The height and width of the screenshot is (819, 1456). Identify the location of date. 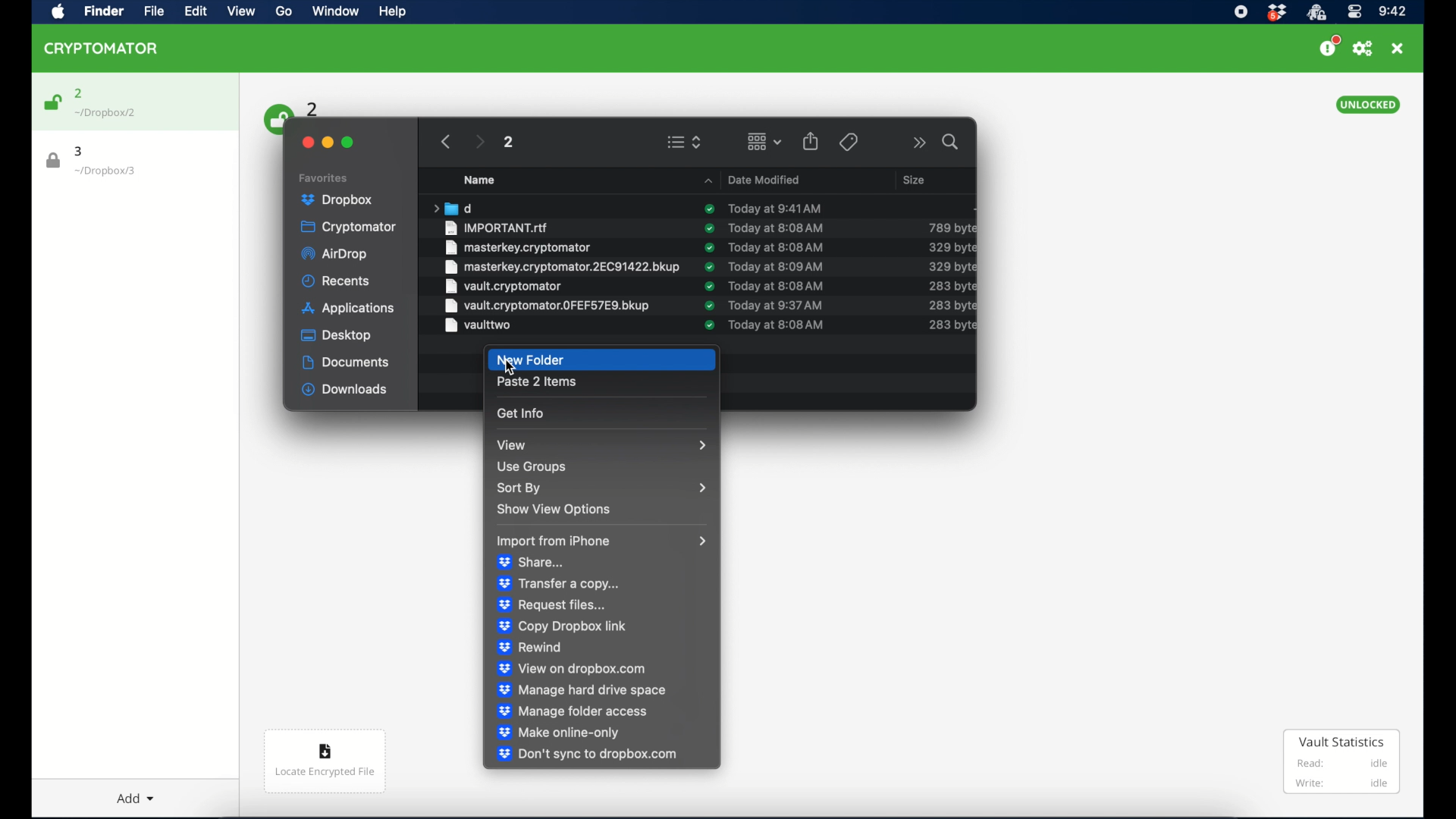
(776, 285).